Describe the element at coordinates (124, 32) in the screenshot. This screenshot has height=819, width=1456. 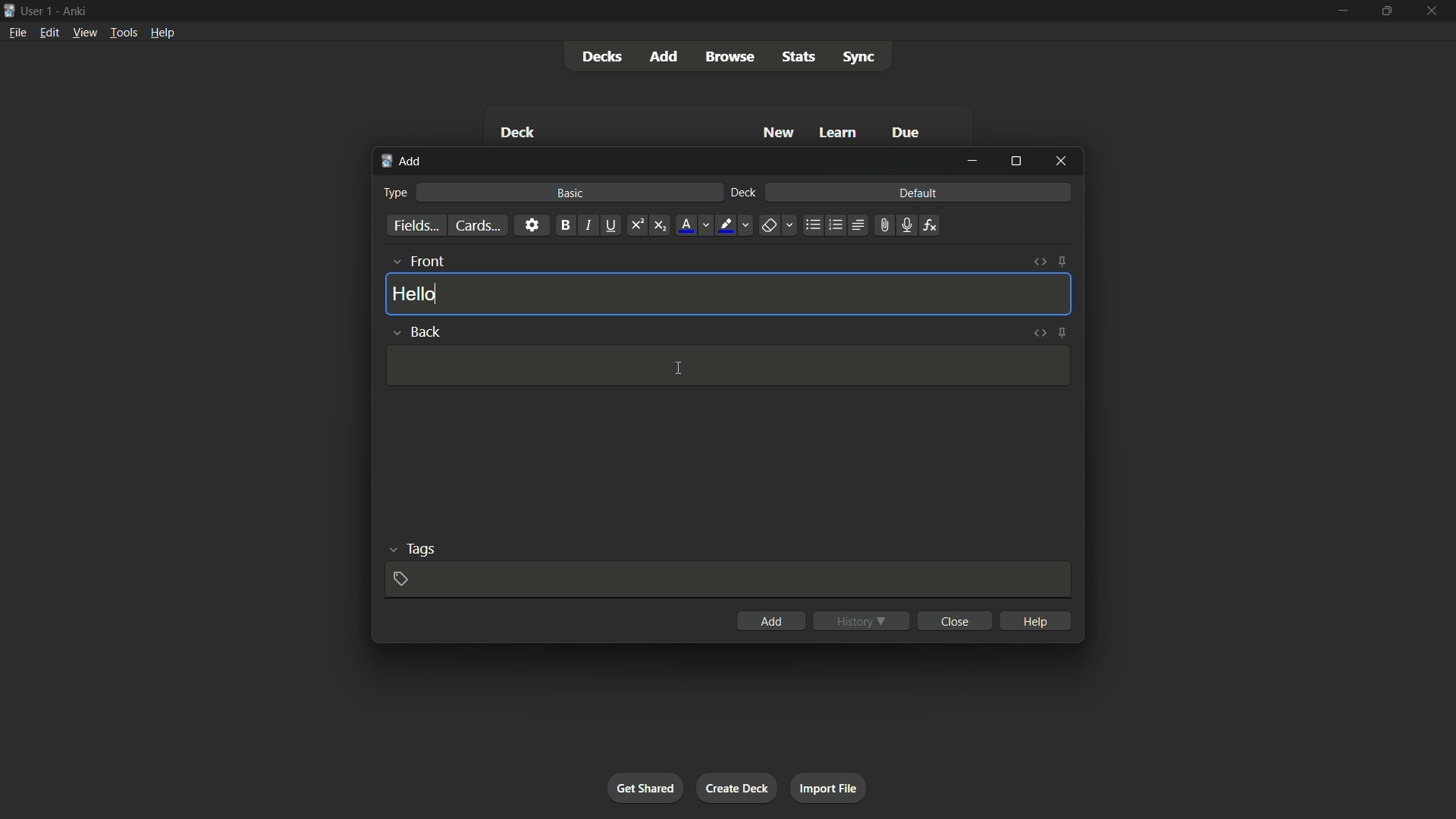
I see `tools menu` at that location.